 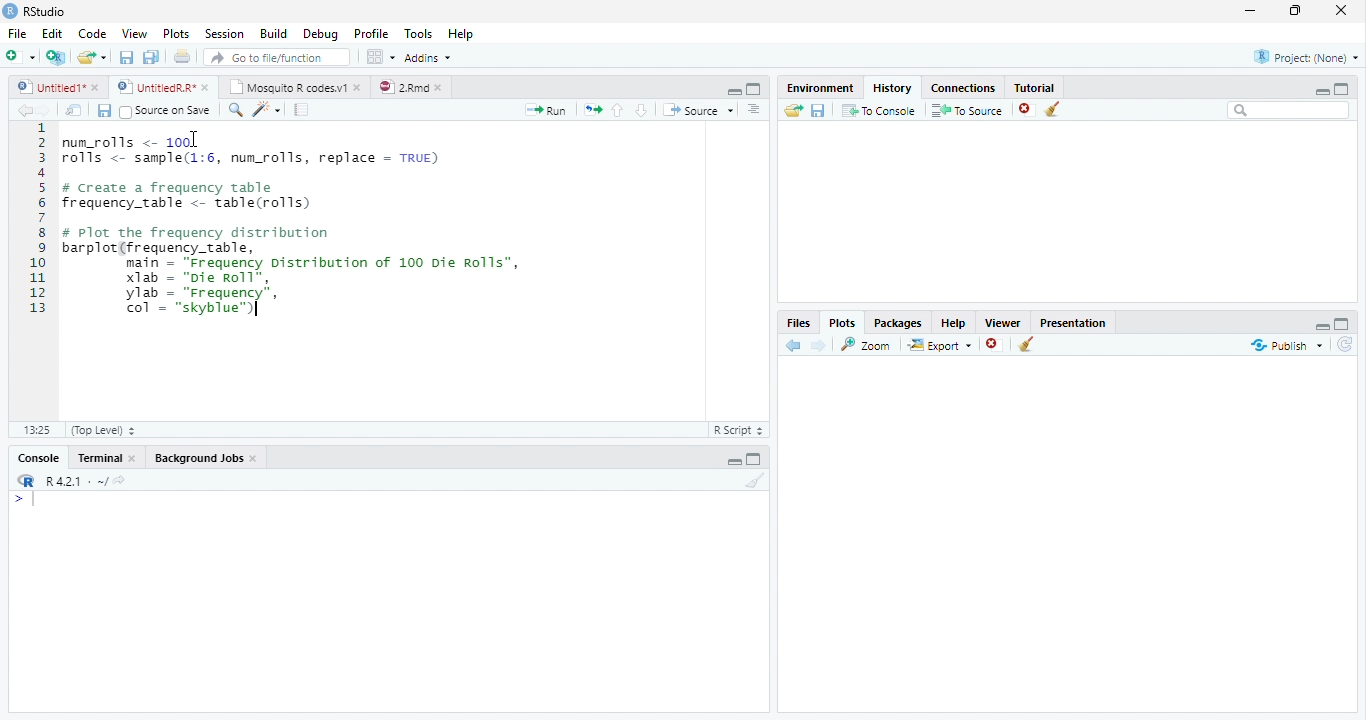 I want to click on Hide, so click(x=732, y=91).